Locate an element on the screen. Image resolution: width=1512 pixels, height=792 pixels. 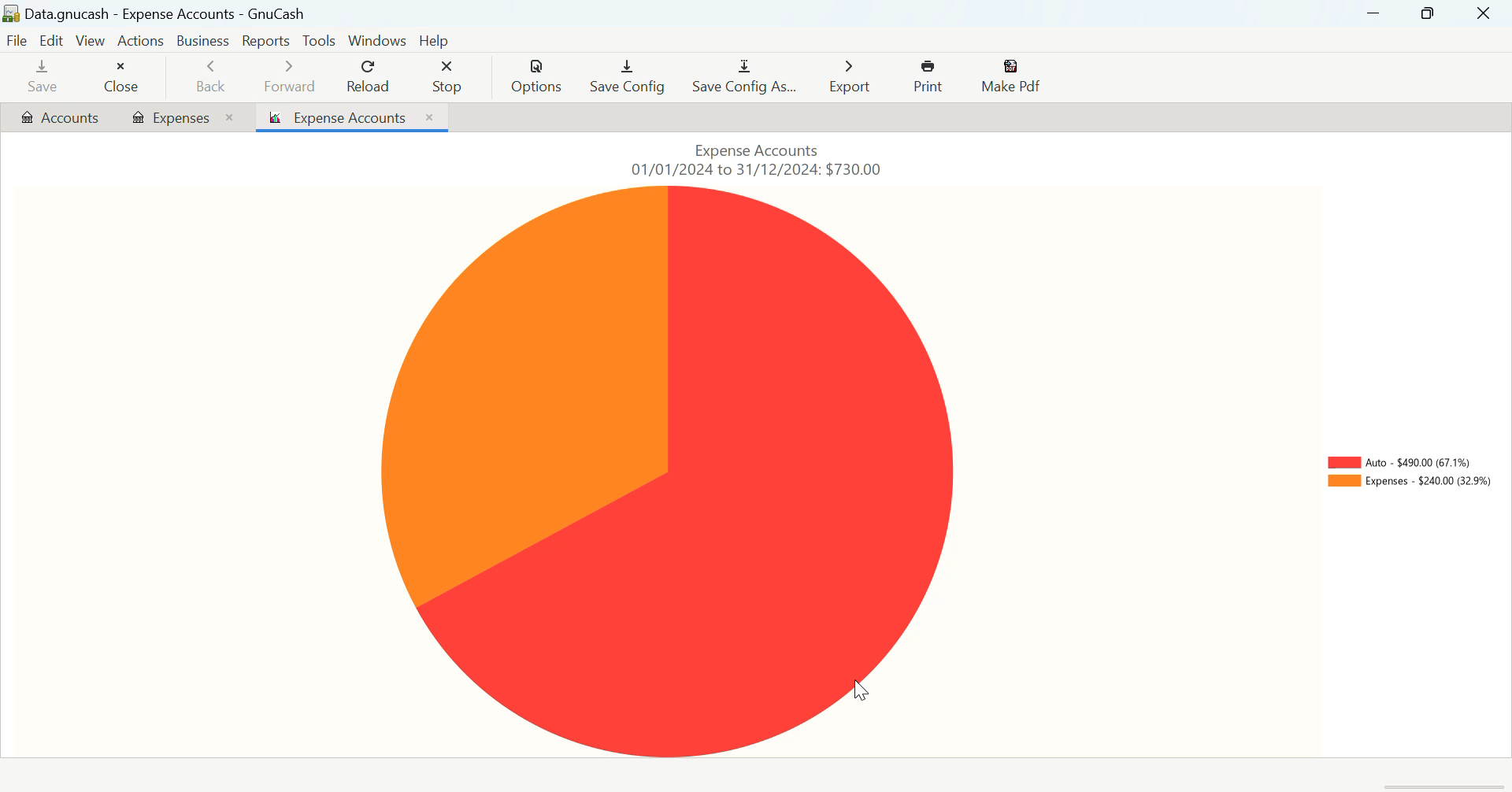
Save is located at coordinates (43, 77).